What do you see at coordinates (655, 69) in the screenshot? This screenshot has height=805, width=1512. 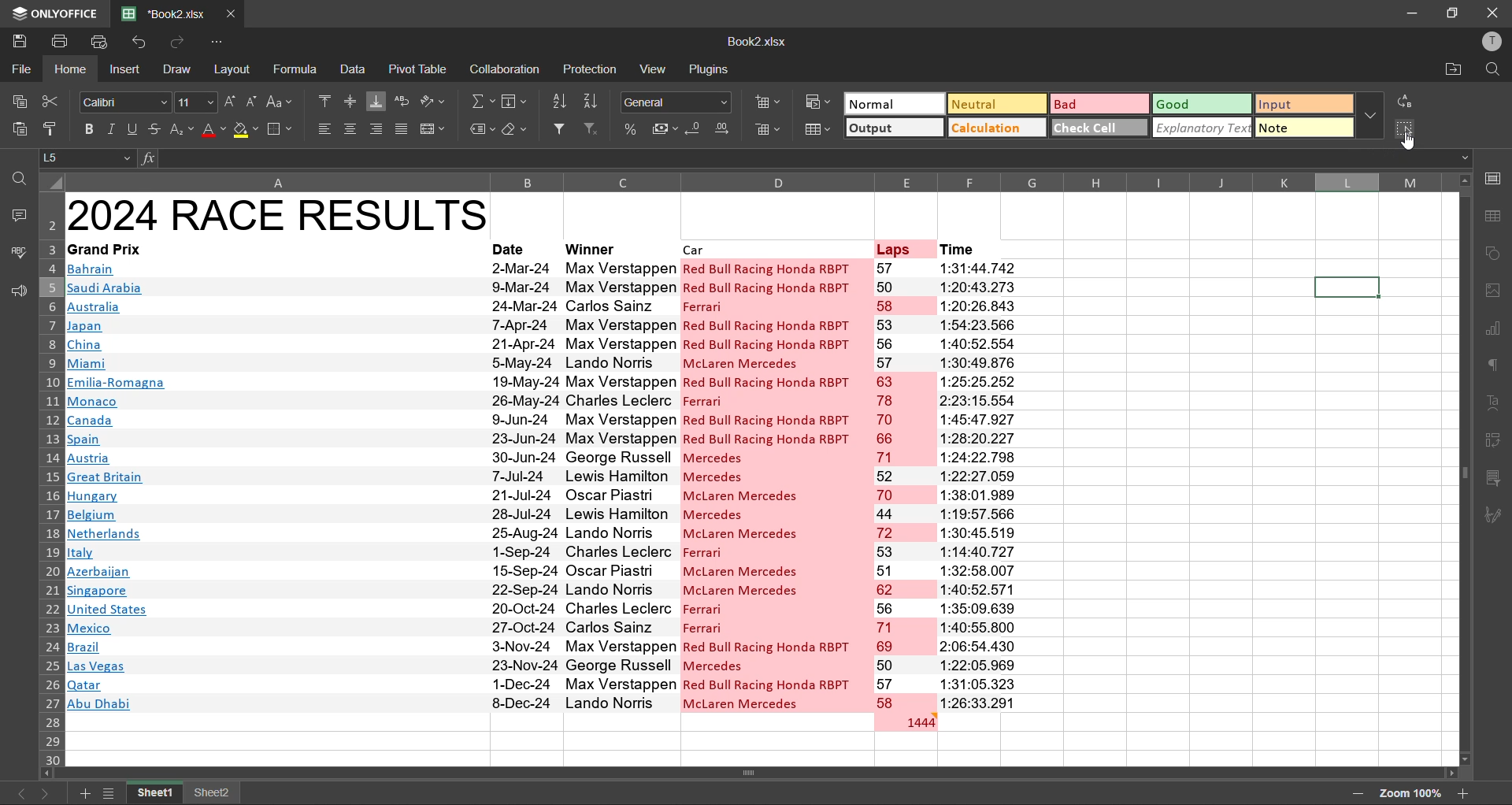 I see `view` at bounding box center [655, 69].